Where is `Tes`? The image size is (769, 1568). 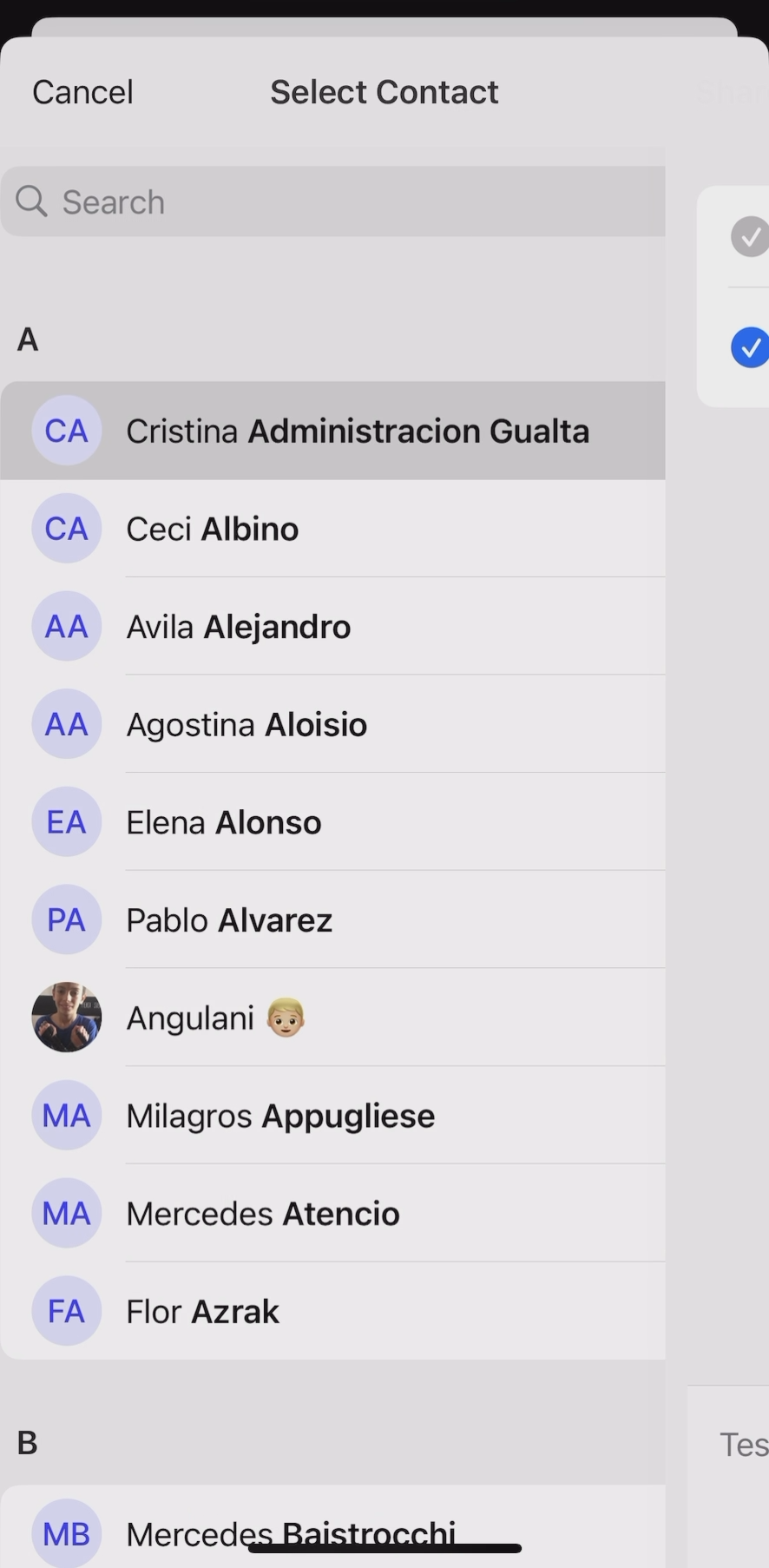 Tes is located at coordinates (739, 1440).